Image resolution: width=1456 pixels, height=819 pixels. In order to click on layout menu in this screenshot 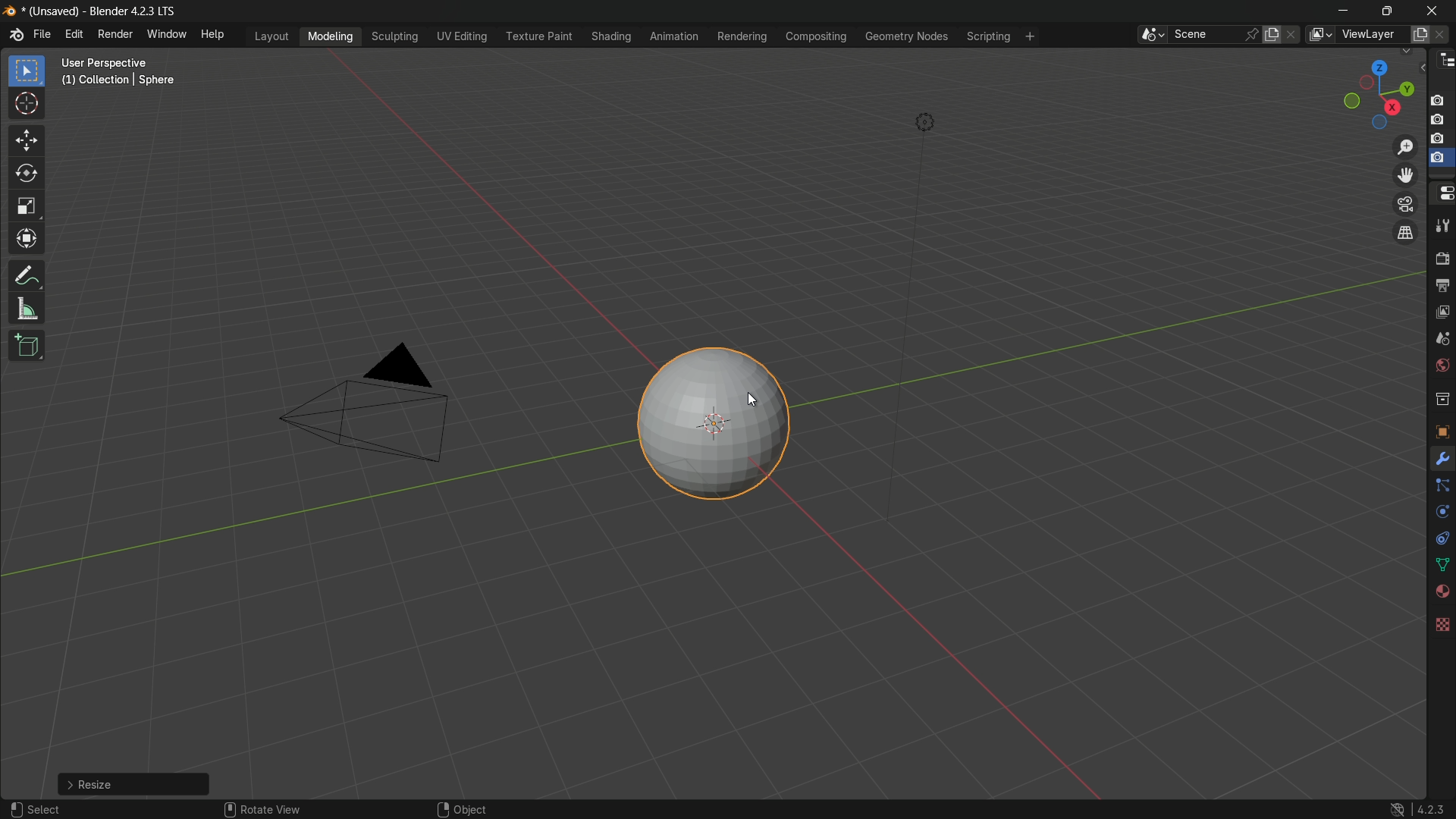, I will do `click(271, 36)`.